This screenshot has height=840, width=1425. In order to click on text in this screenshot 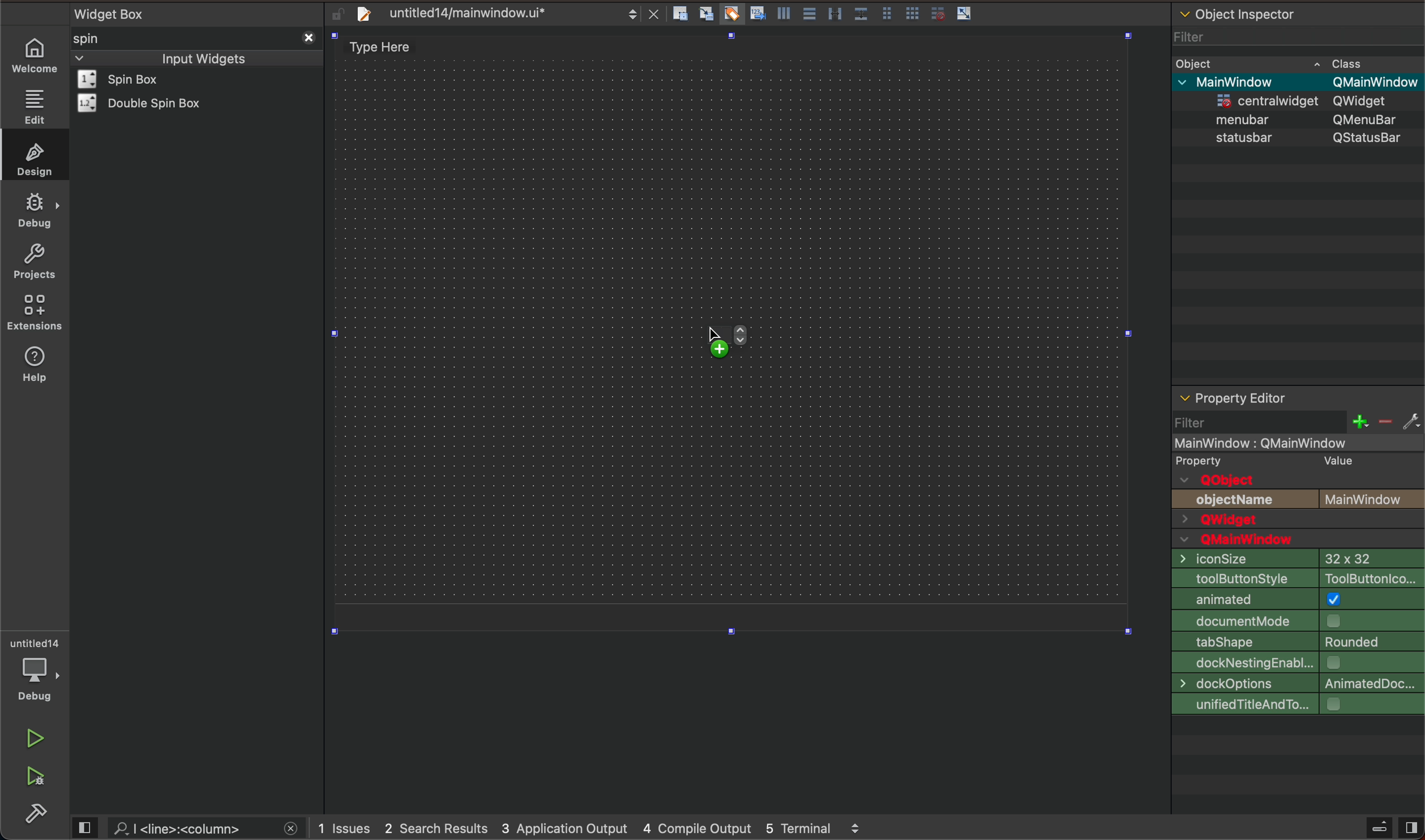, I will do `click(1213, 460)`.